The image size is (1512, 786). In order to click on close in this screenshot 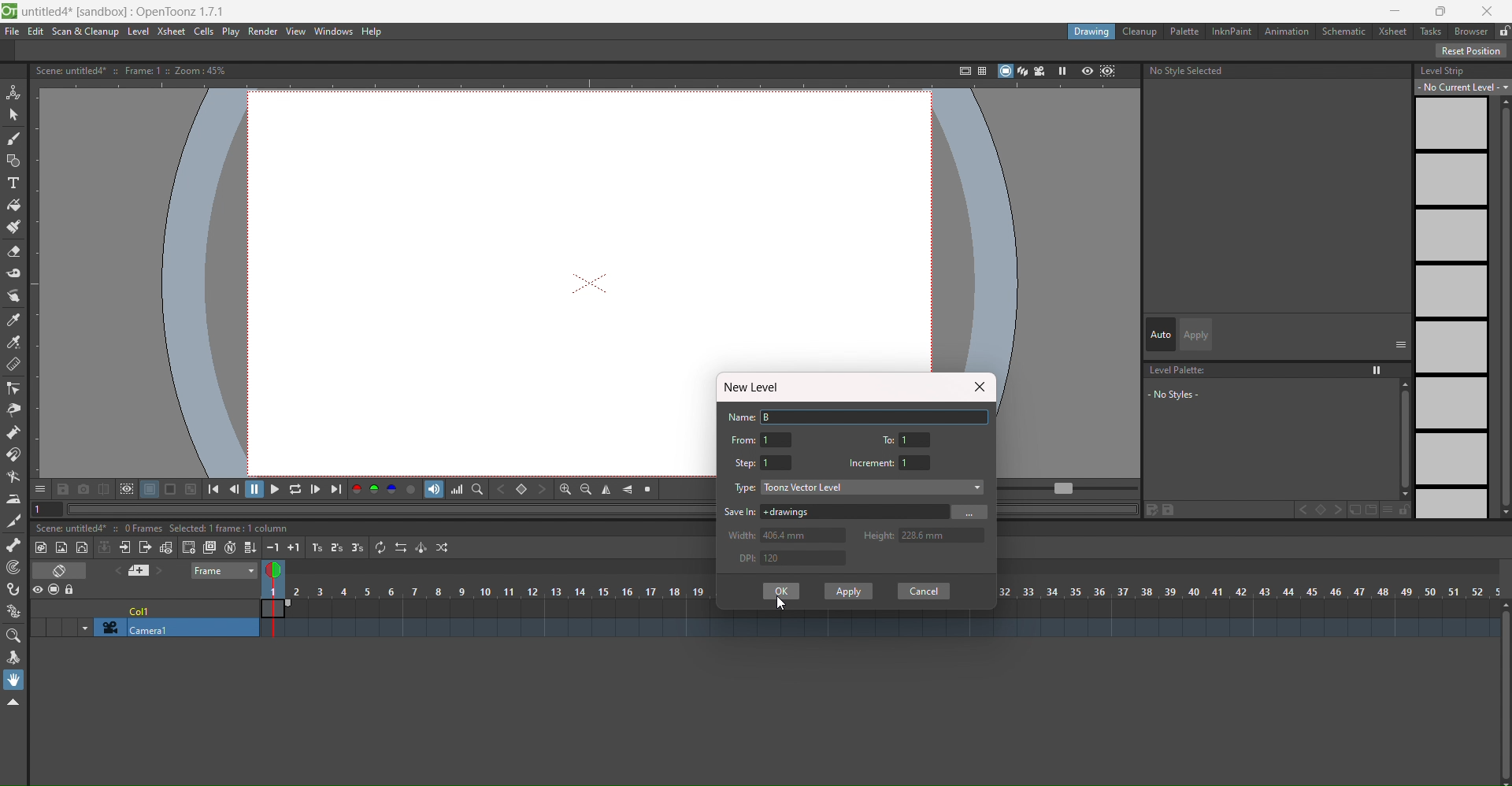, I will do `click(978, 387)`.